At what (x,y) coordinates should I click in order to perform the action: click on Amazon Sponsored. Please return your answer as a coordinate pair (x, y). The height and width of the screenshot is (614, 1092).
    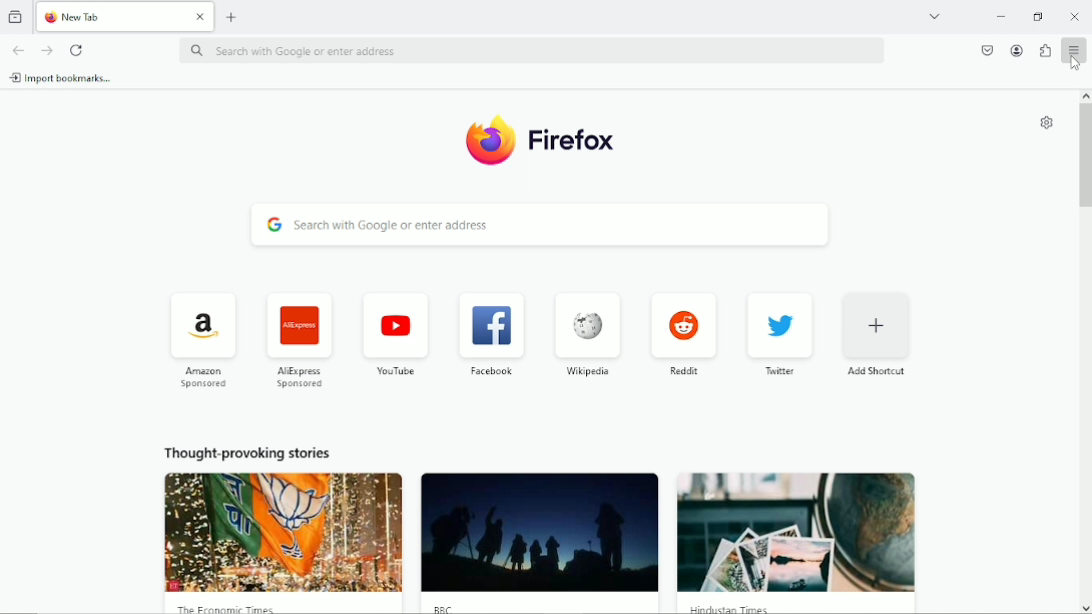
    Looking at the image, I should click on (206, 339).